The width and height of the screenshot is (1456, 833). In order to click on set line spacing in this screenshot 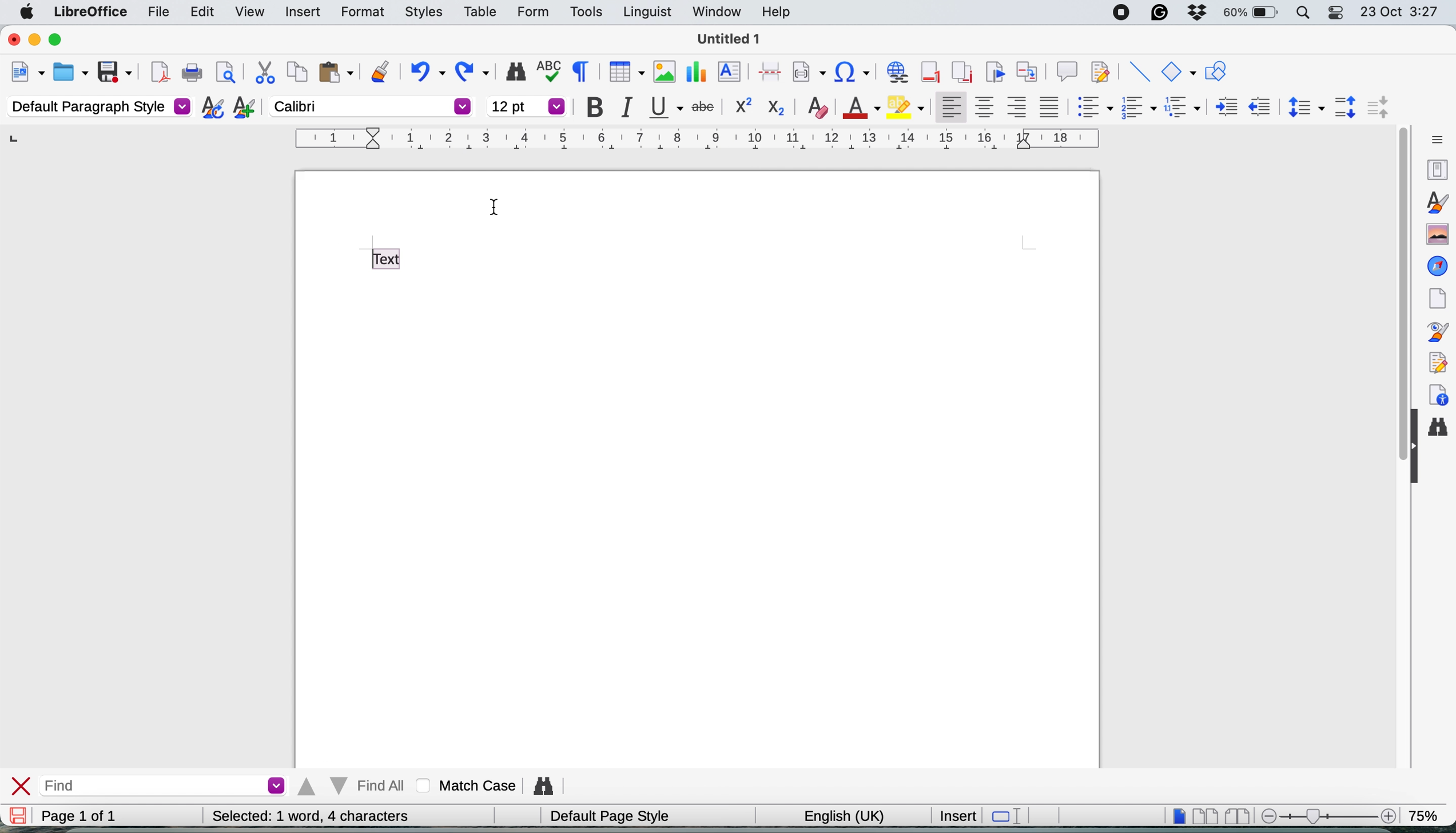, I will do `click(1304, 107)`.